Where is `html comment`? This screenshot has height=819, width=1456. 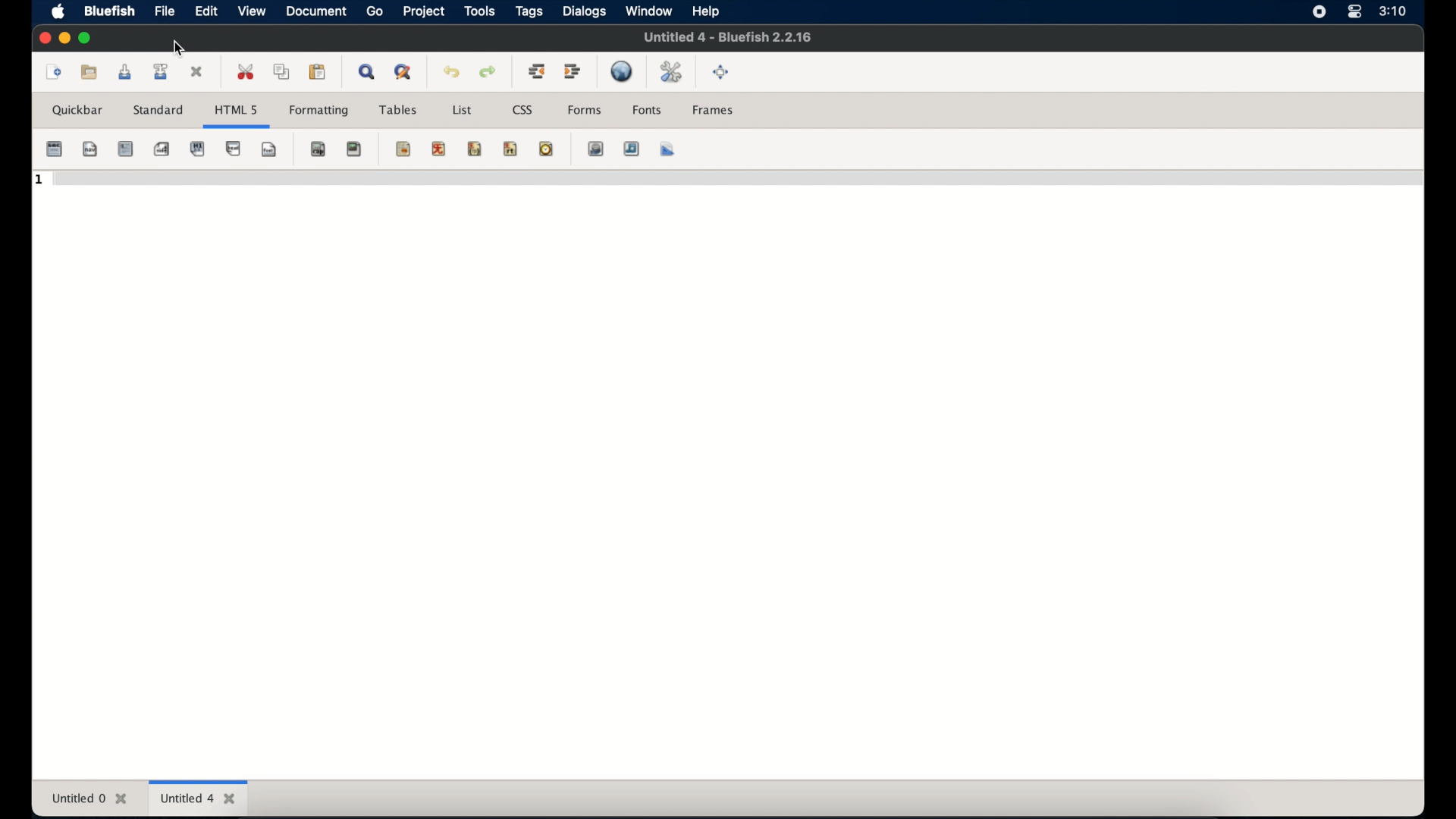
html comment is located at coordinates (510, 148).